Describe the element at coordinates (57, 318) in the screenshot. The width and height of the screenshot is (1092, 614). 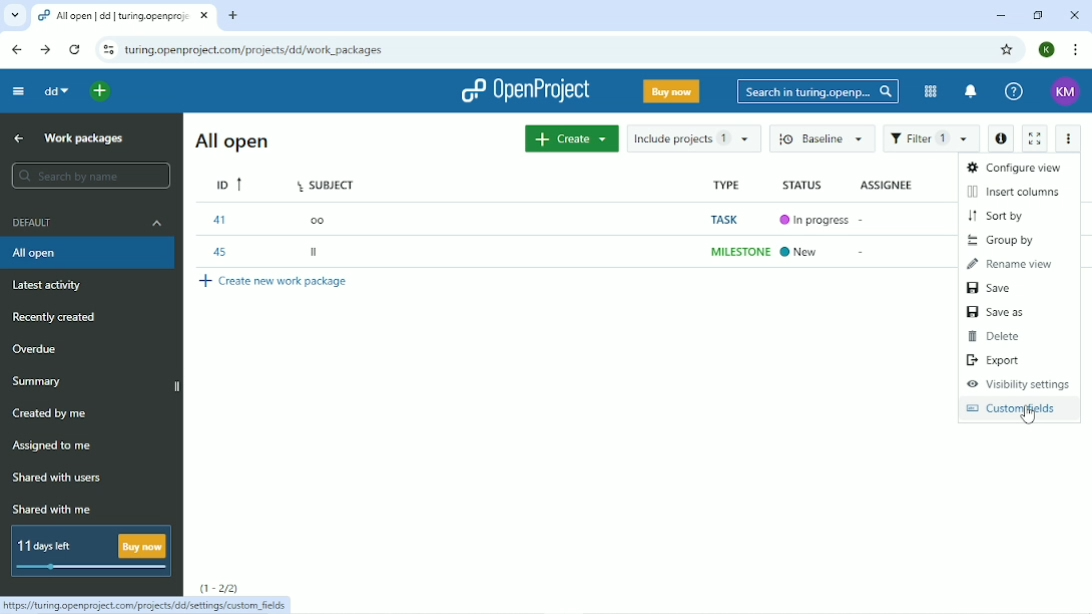
I see `Recently created` at that location.